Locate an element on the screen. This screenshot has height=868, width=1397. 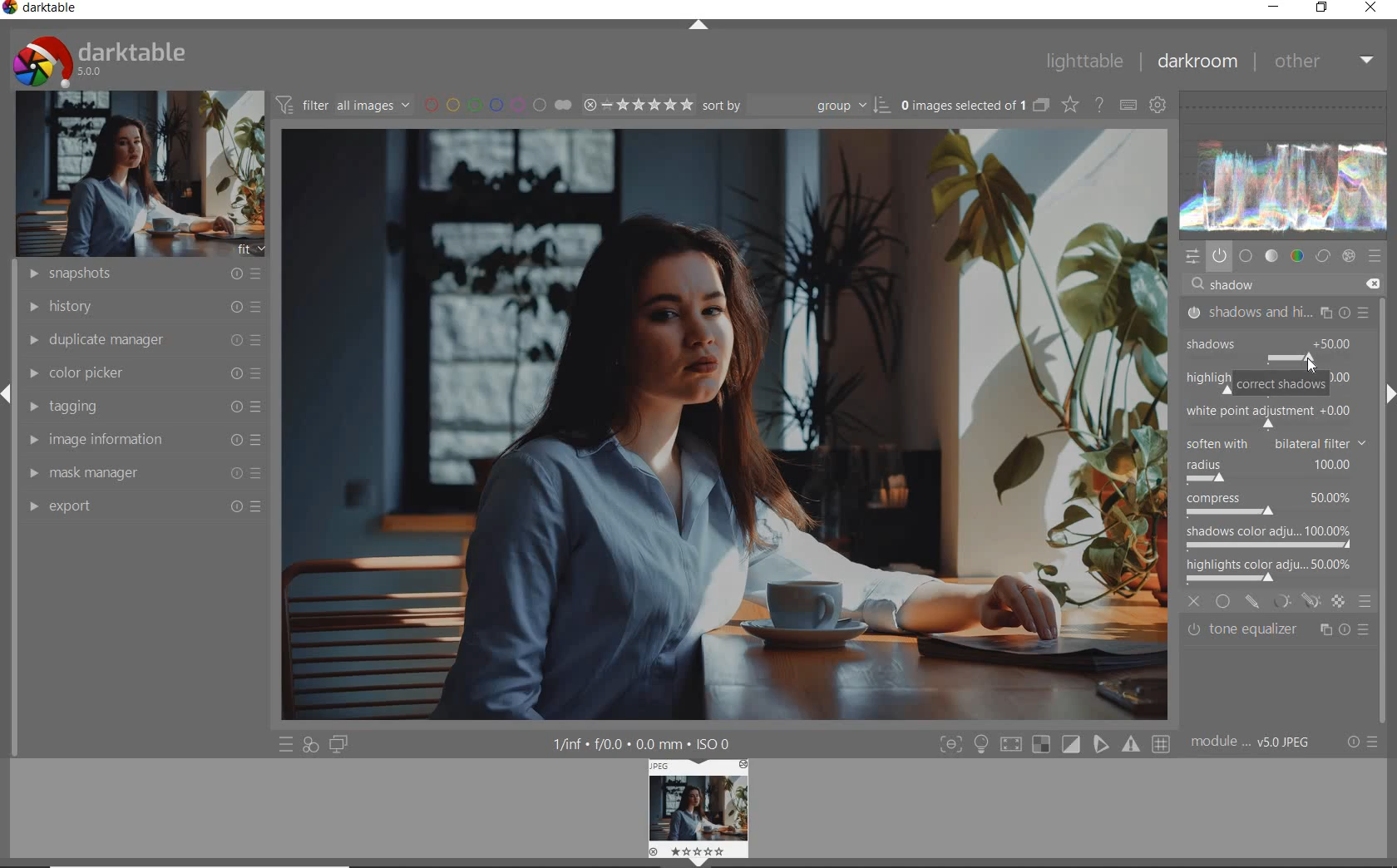
masking options is located at coordinates (1296, 601).